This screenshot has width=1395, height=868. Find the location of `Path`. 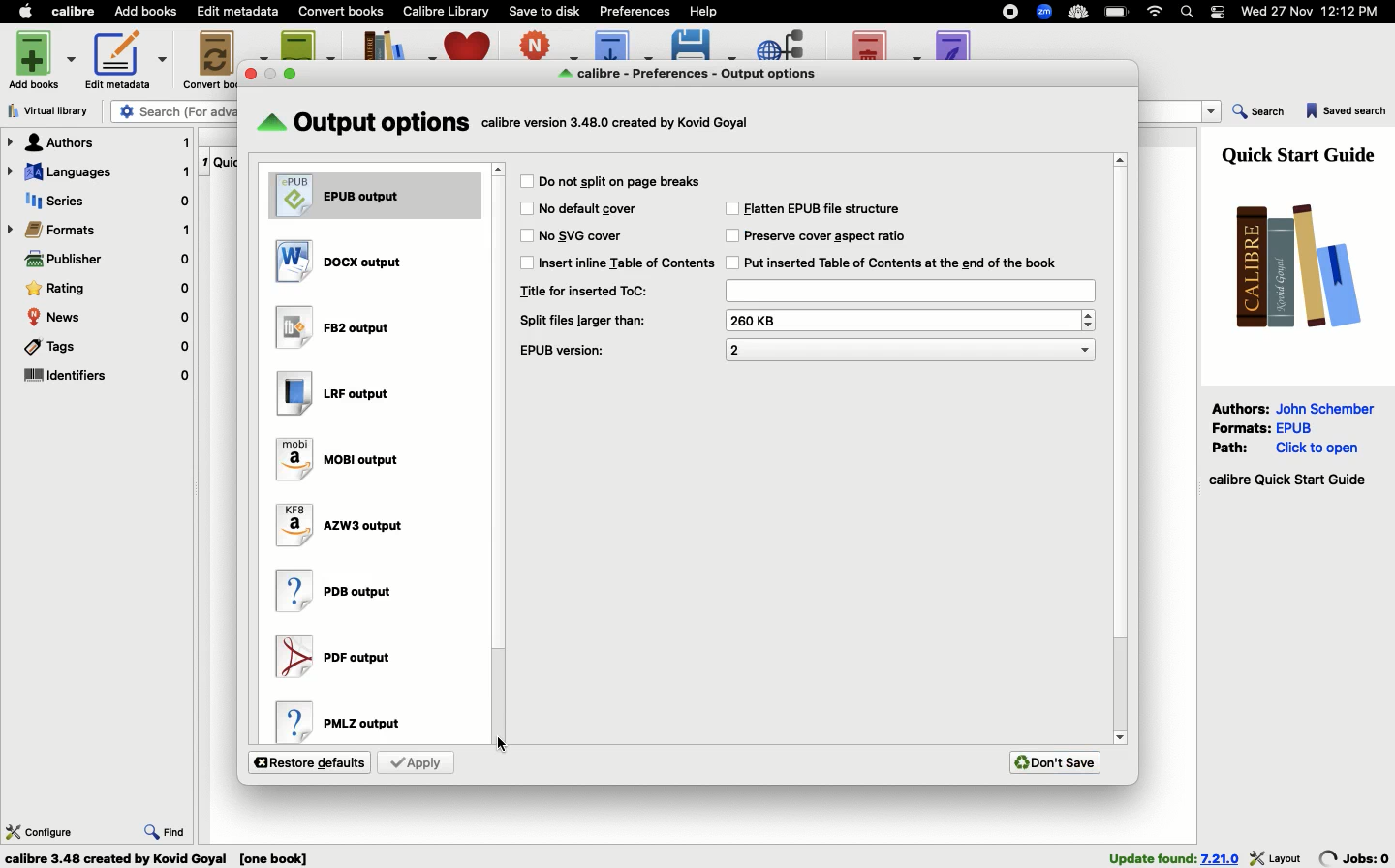

Path is located at coordinates (1233, 447).